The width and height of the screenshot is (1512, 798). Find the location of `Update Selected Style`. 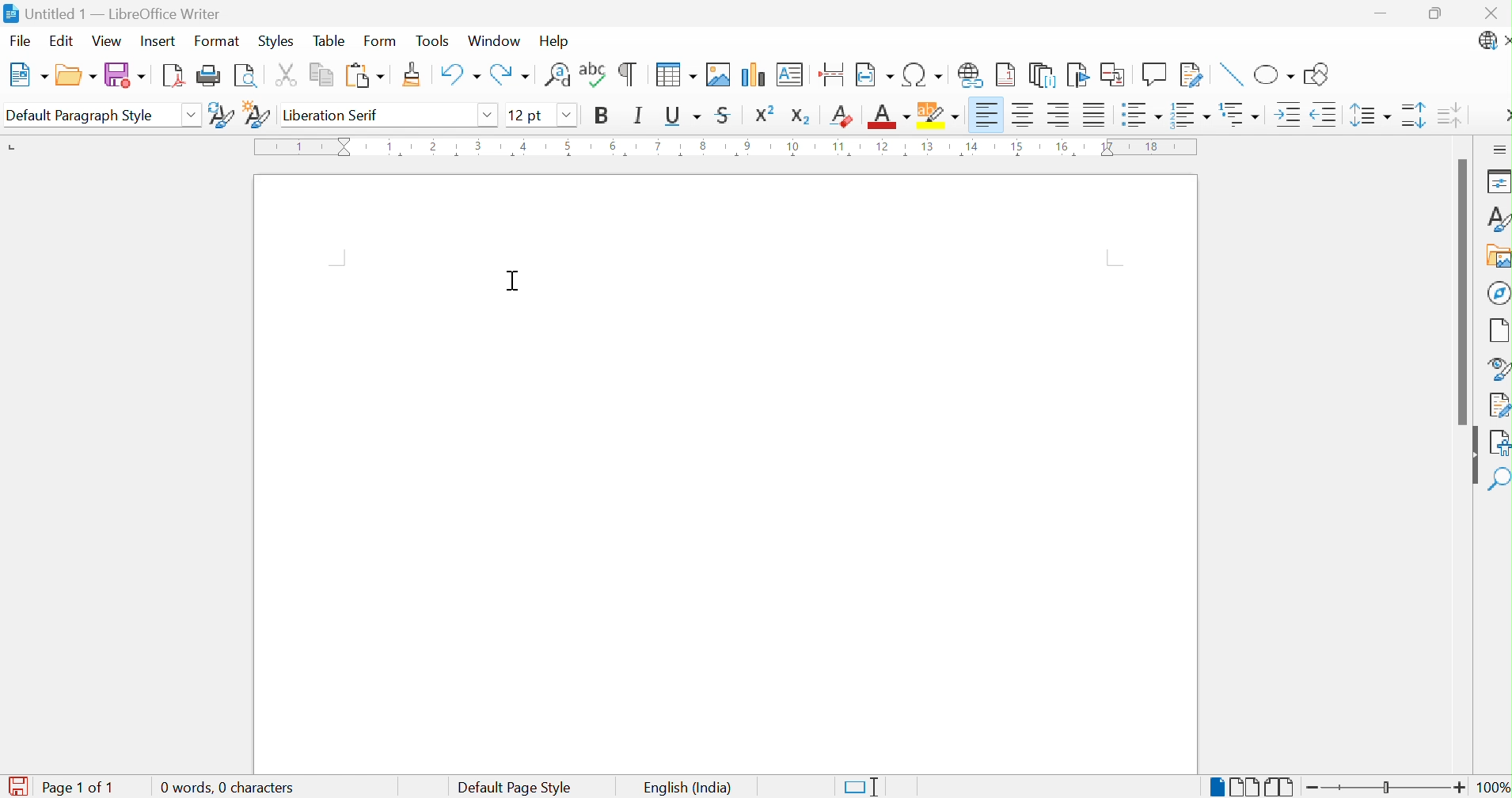

Update Selected Style is located at coordinates (222, 116).